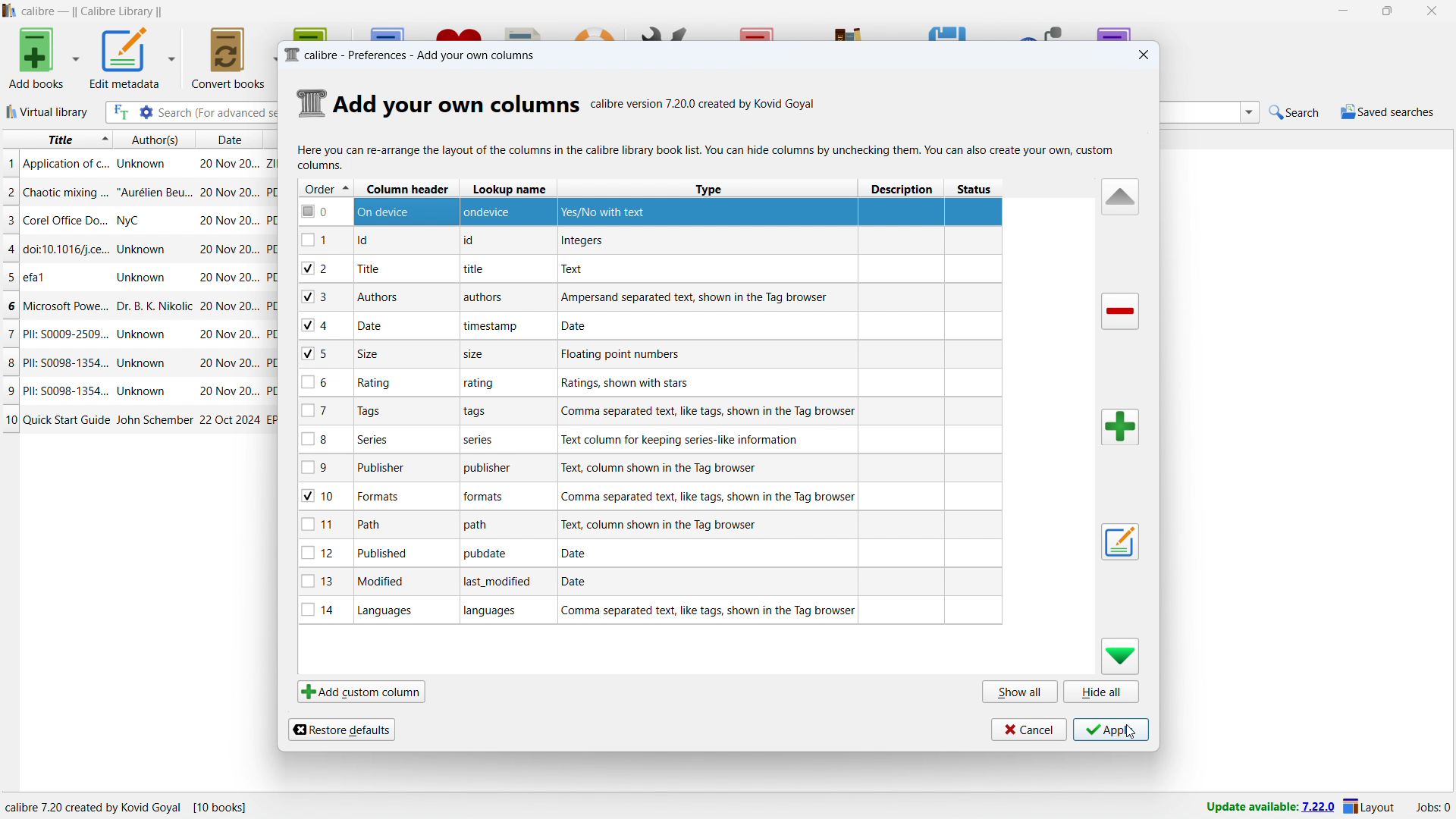 The height and width of the screenshot is (819, 1456). What do you see at coordinates (380, 383) in the screenshot?
I see `rating` at bounding box center [380, 383].